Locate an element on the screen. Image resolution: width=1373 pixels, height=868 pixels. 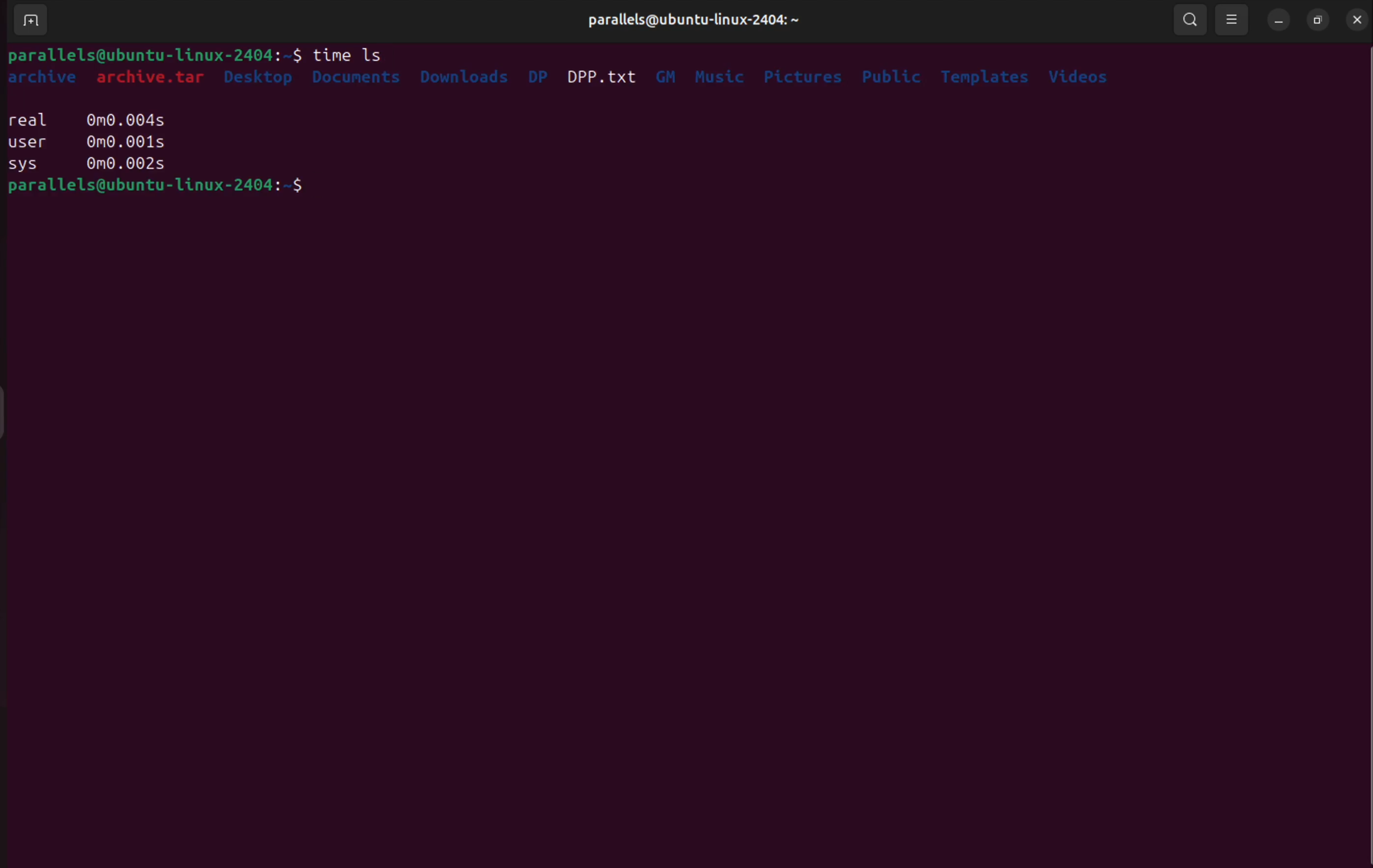
resize is located at coordinates (1319, 20).